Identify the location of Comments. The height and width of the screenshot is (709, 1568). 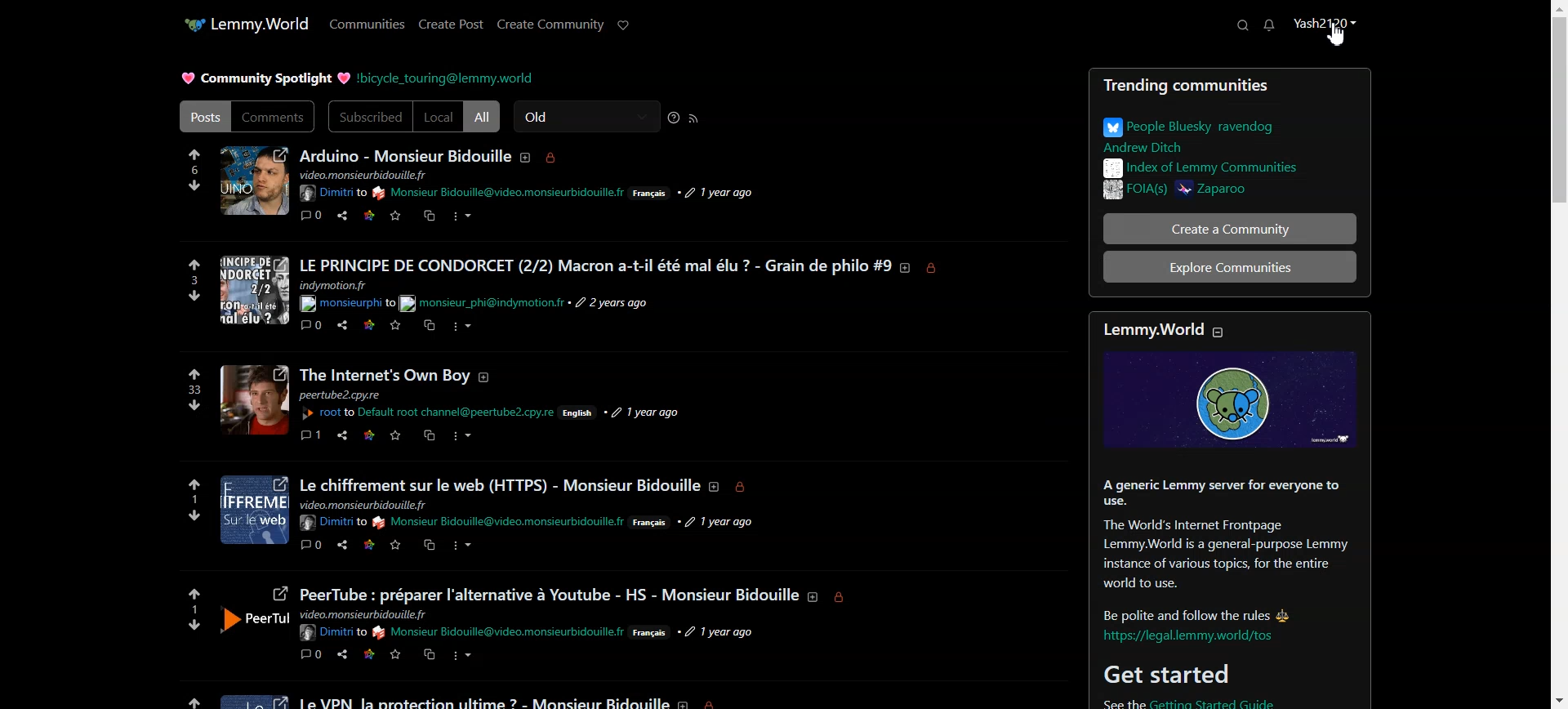
(274, 116).